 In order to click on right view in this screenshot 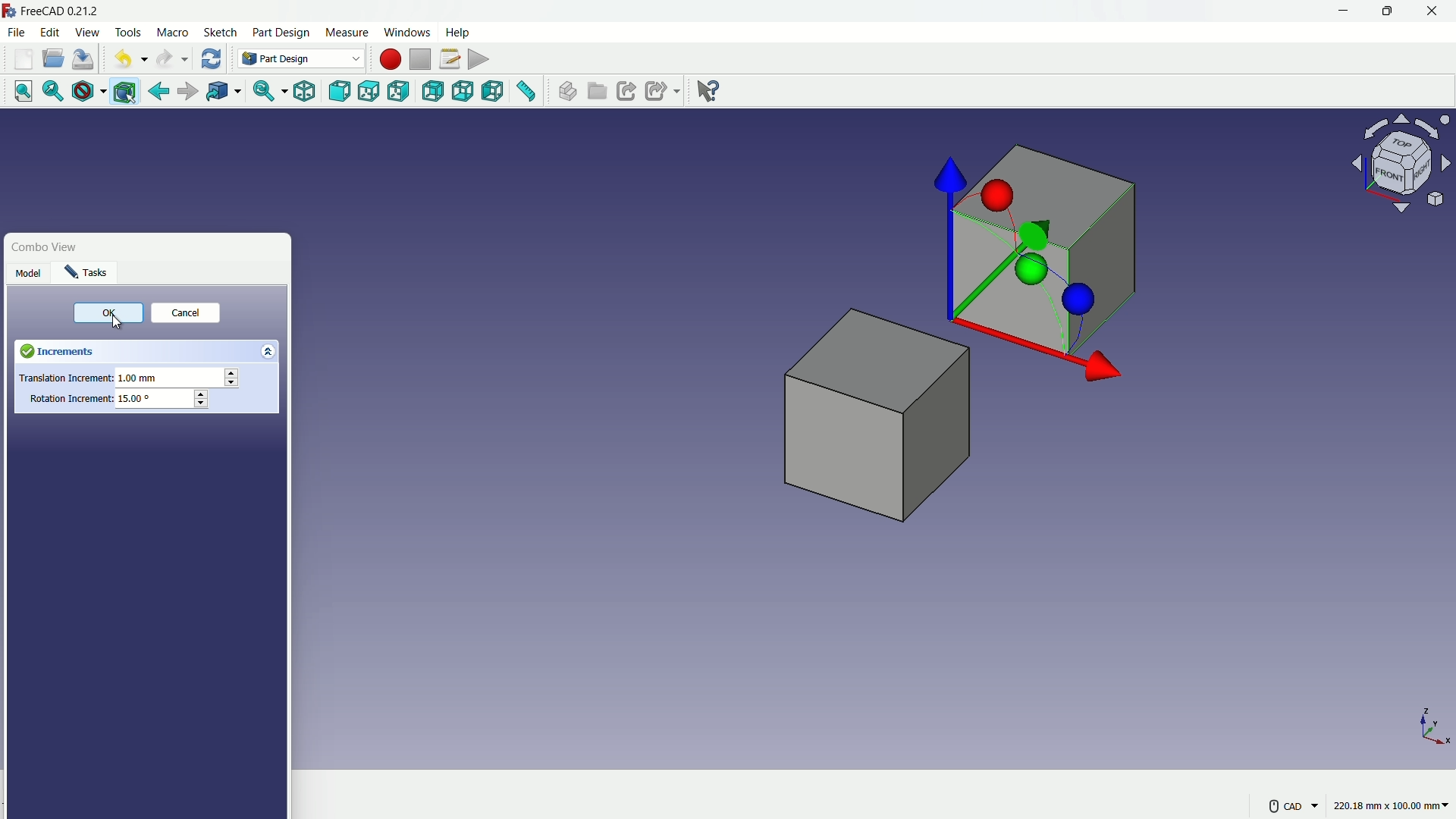, I will do `click(400, 94)`.